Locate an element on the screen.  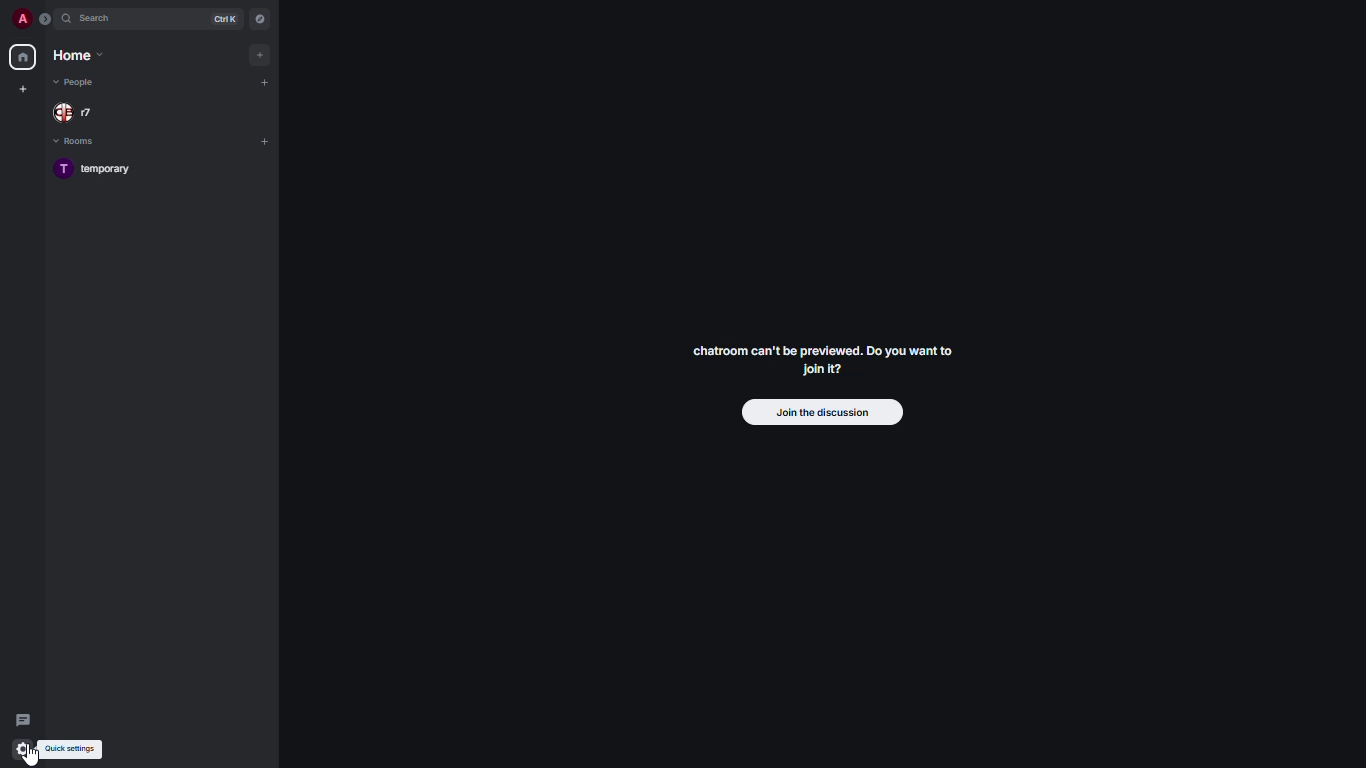
rooms is located at coordinates (78, 143).